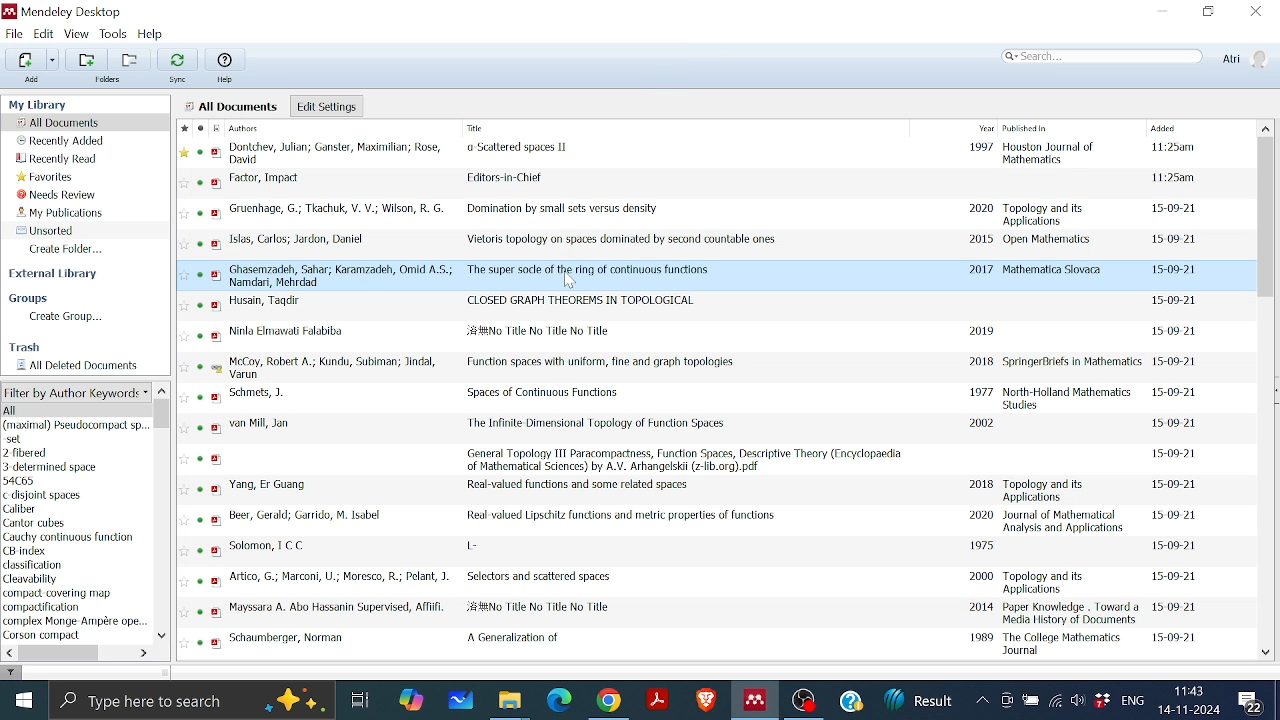 Image resolution: width=1280 pixels, height=720 pixels. Describe the element at coordinates (61, 276) in the screenshot. I see `external Library` at that location.